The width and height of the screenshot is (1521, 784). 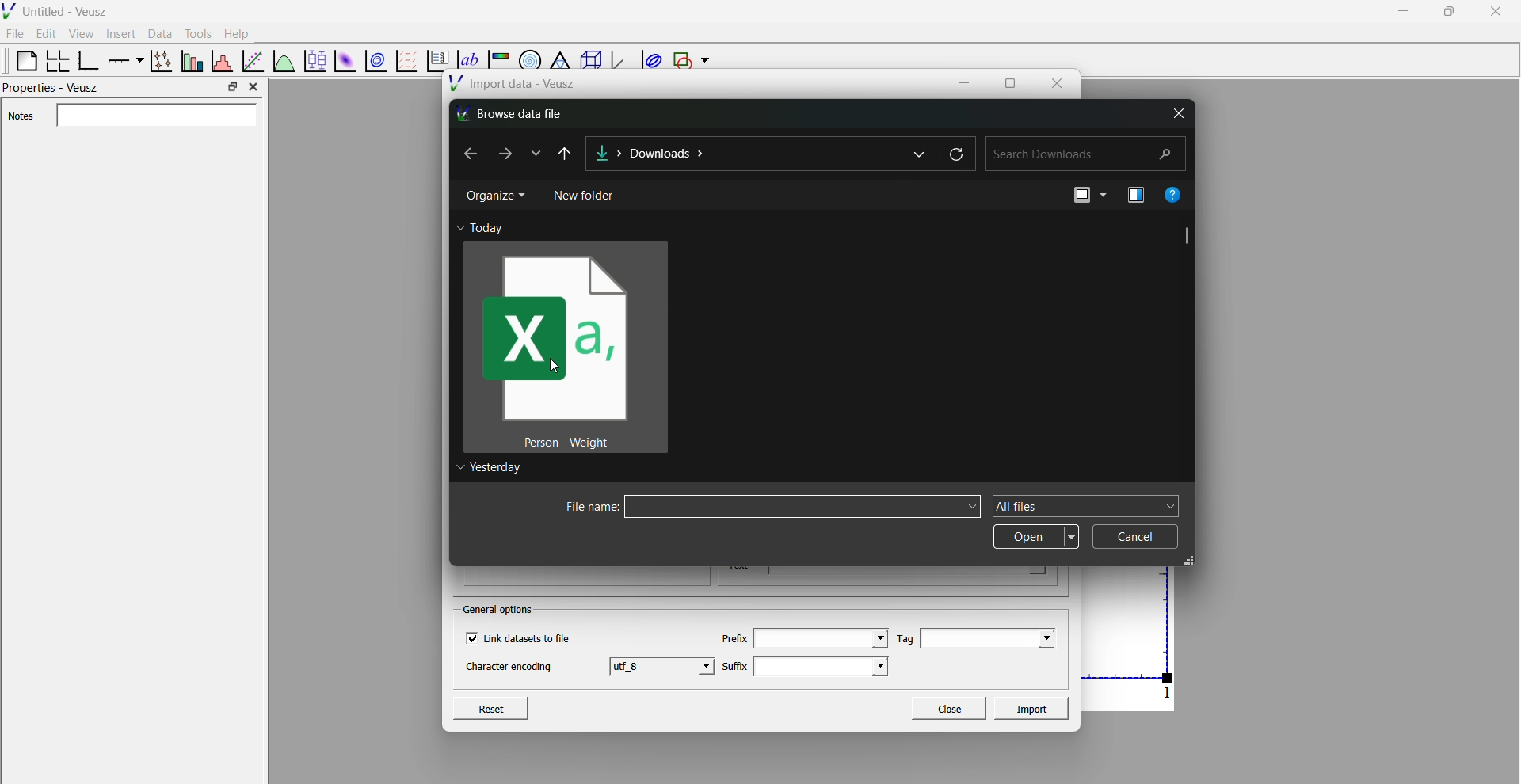 What do you see at coordinates (498, 54) in the screenshot?
I see `image color graph` at bounding box center [498, 54].